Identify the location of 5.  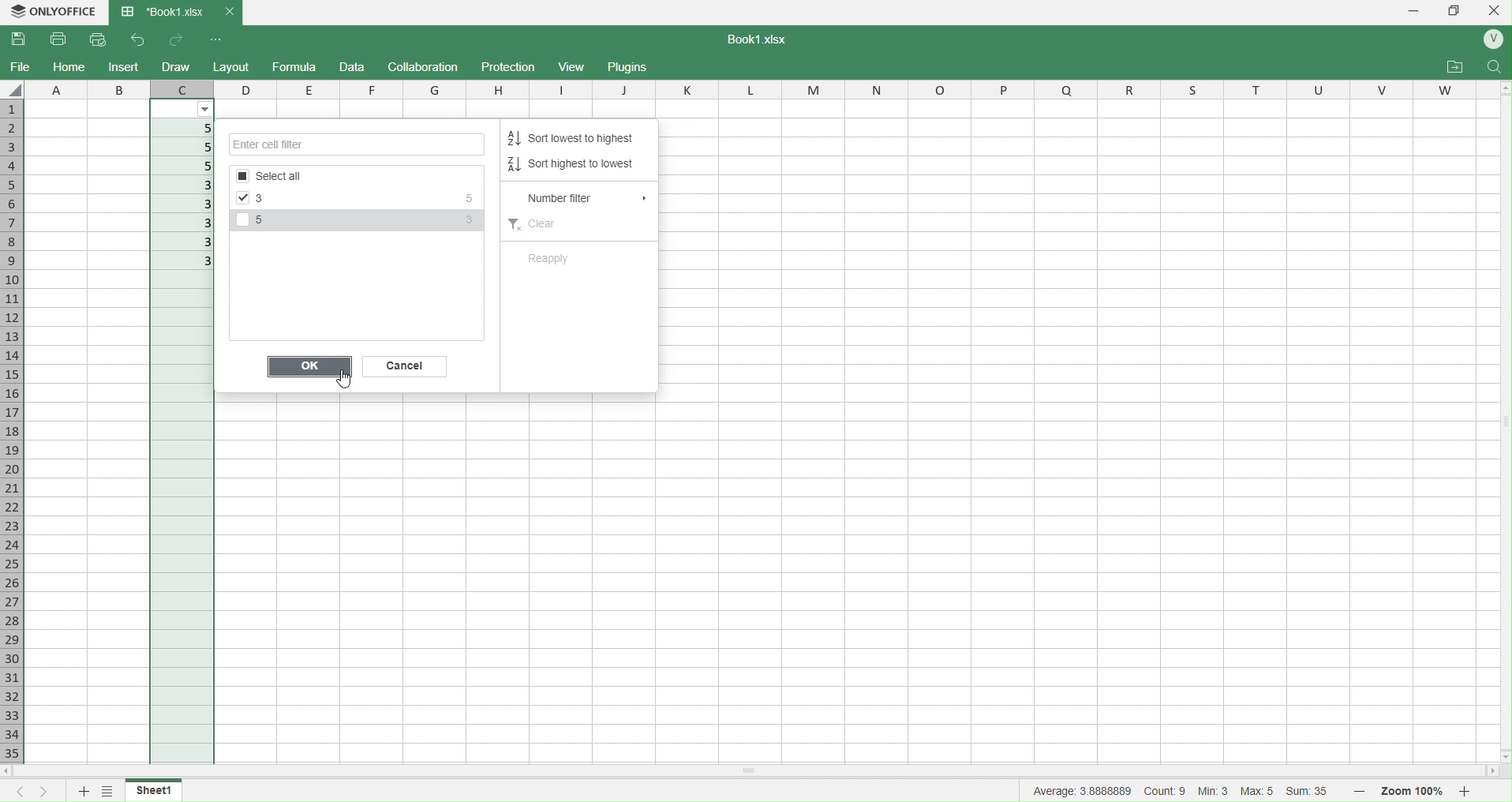
(188, 129).